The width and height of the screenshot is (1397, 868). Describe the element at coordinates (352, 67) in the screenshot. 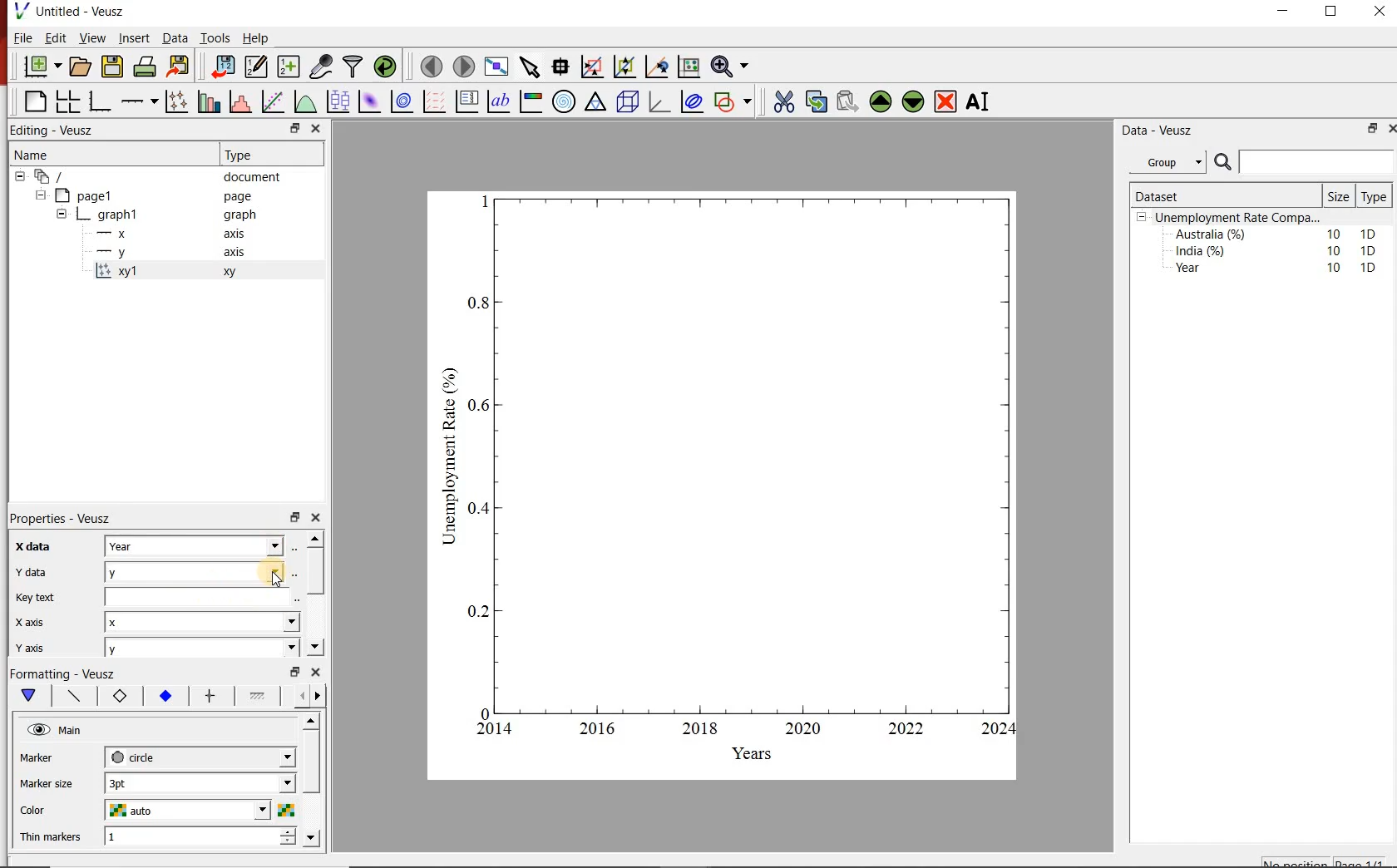

I see `filter data` at that location.